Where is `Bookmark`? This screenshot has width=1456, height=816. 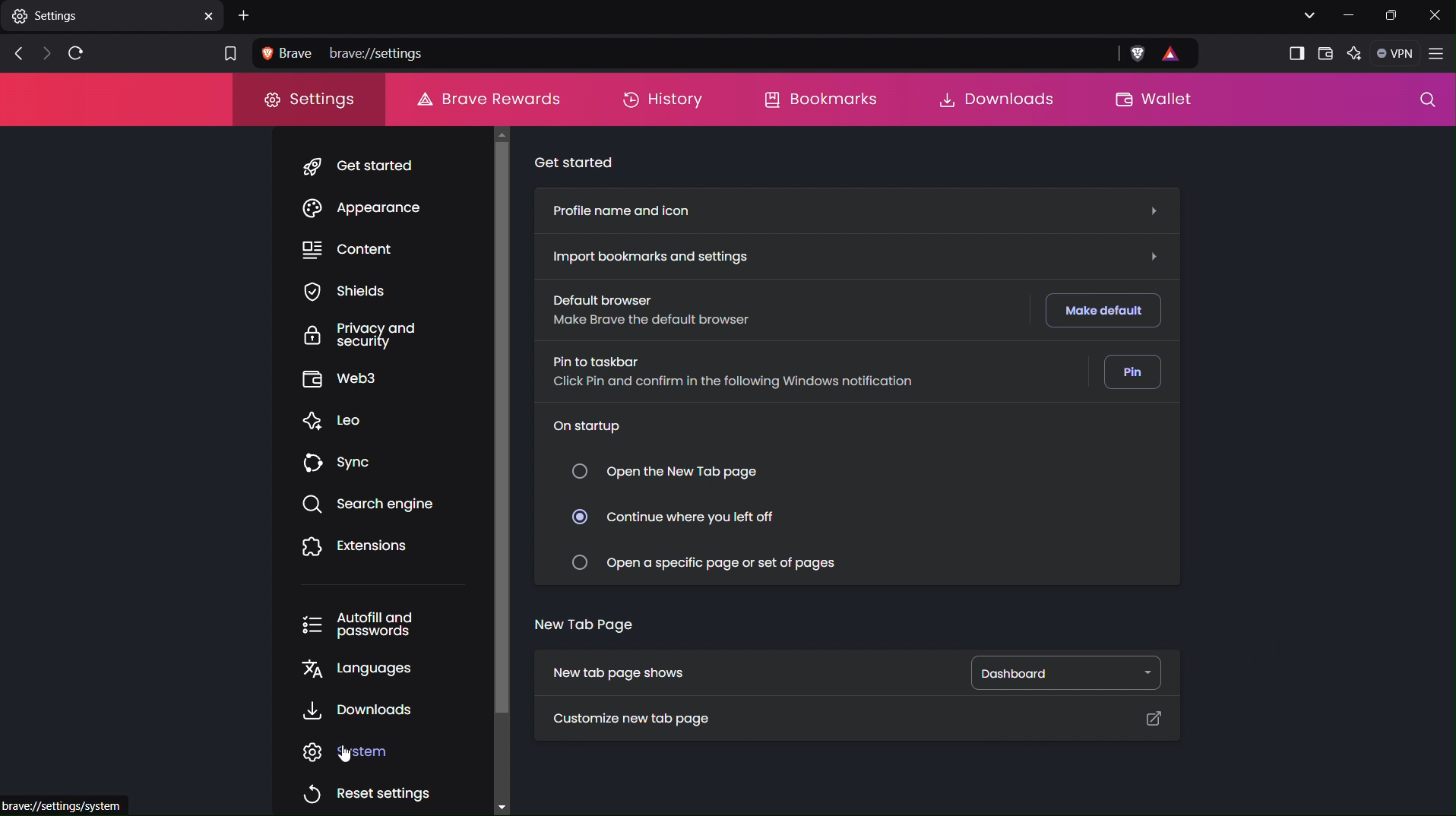 Bookmark is located at coordinates (227, 55).